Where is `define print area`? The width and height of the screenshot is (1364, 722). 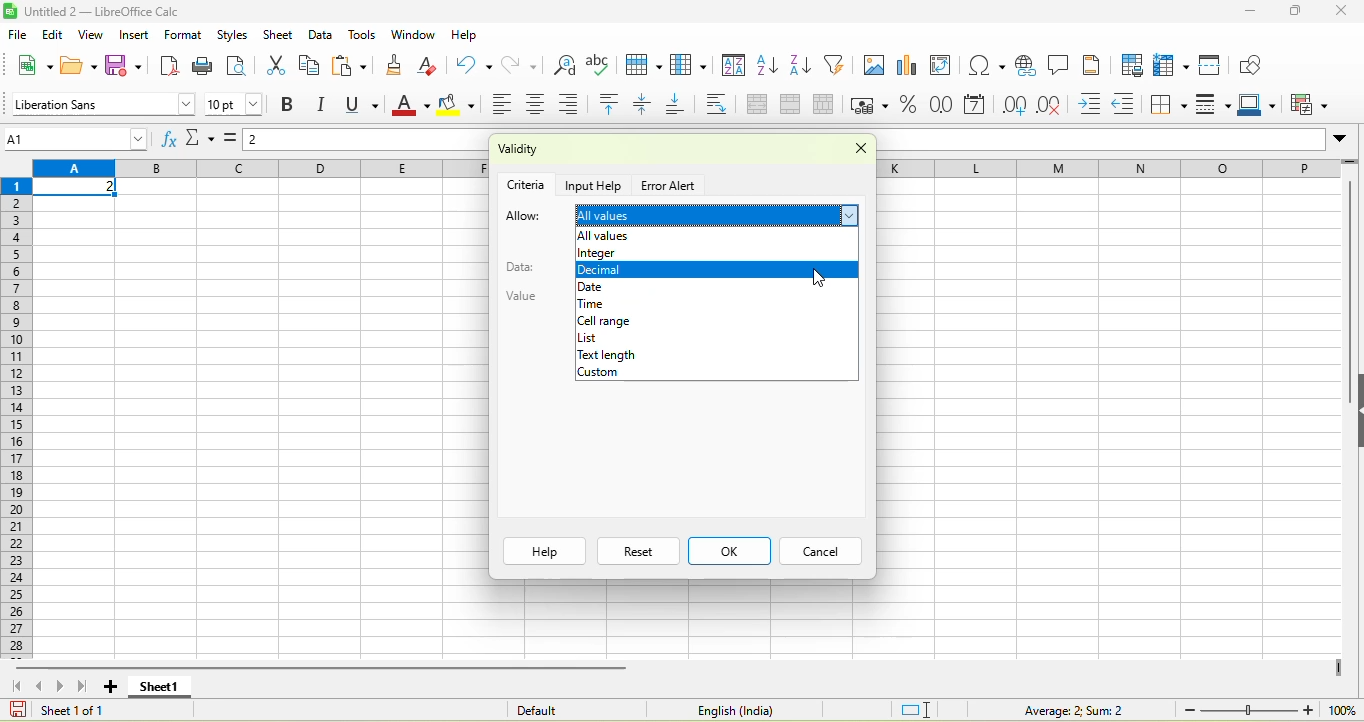
define print area is located at coordinates (1131, 65).